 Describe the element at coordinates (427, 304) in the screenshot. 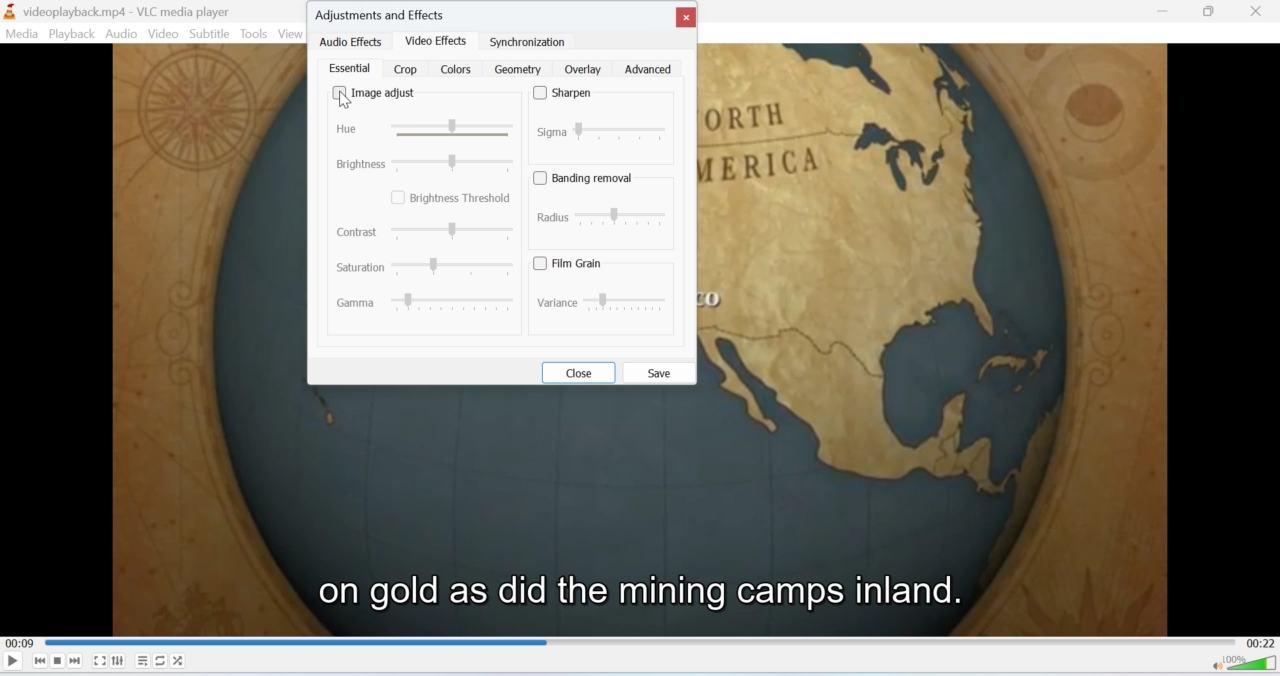

I see `Gamma` at that location.